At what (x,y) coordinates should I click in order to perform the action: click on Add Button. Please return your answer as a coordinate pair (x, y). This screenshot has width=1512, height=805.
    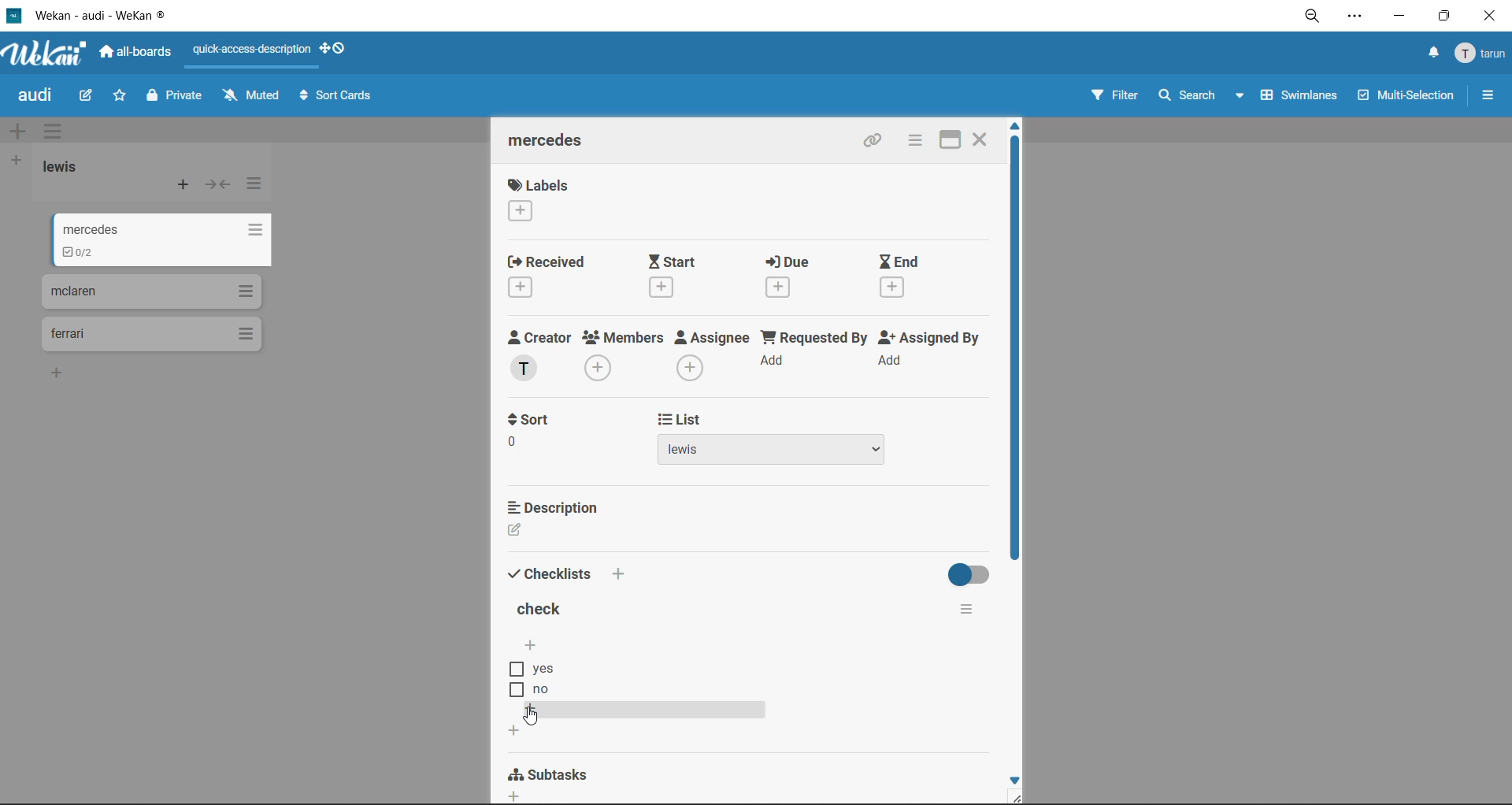
    Looking at the image, I should click on (519, 796).